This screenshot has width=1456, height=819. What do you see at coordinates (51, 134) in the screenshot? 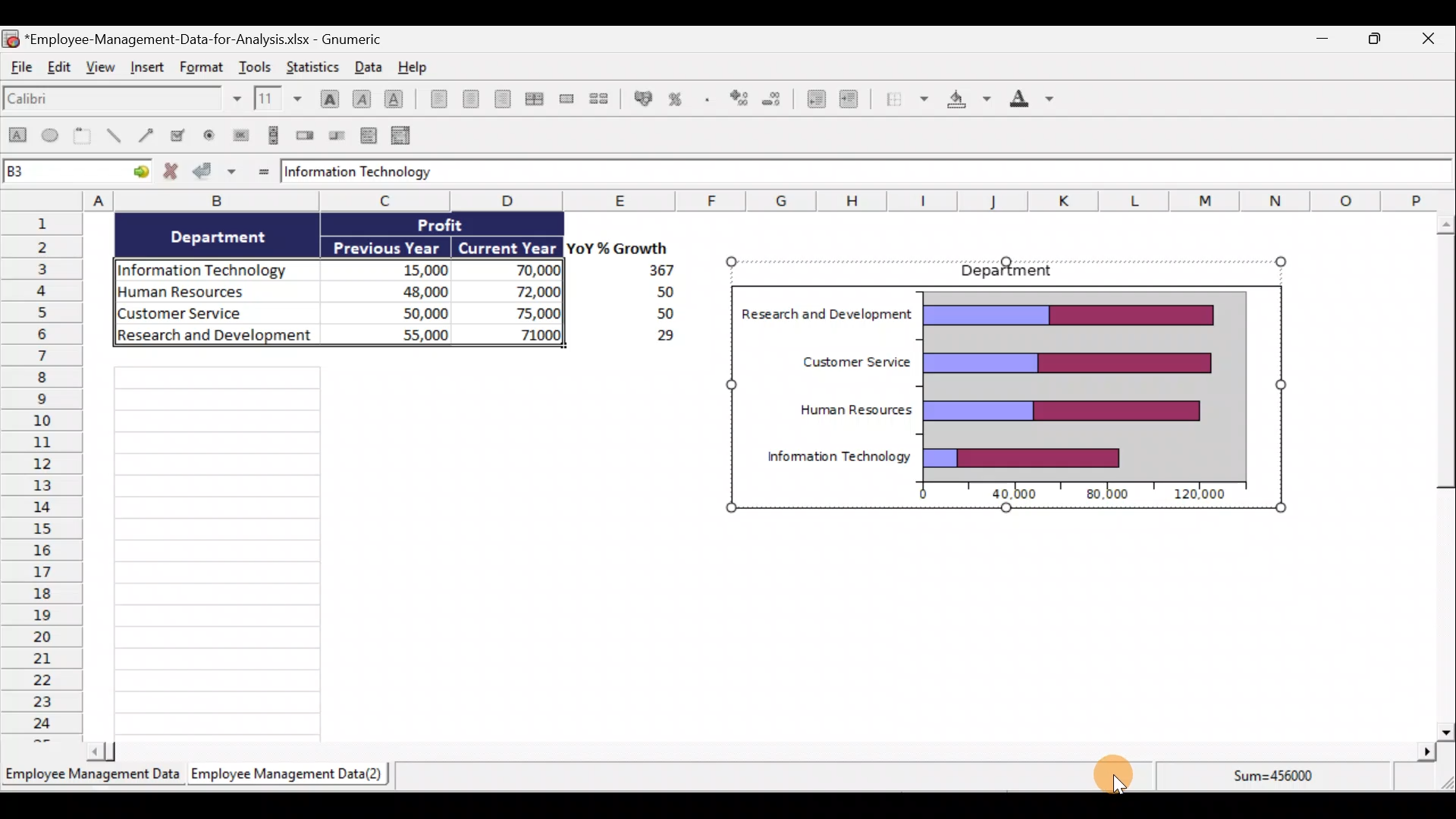
I see `Create an ellipse object` at bounding box center [51, 134].